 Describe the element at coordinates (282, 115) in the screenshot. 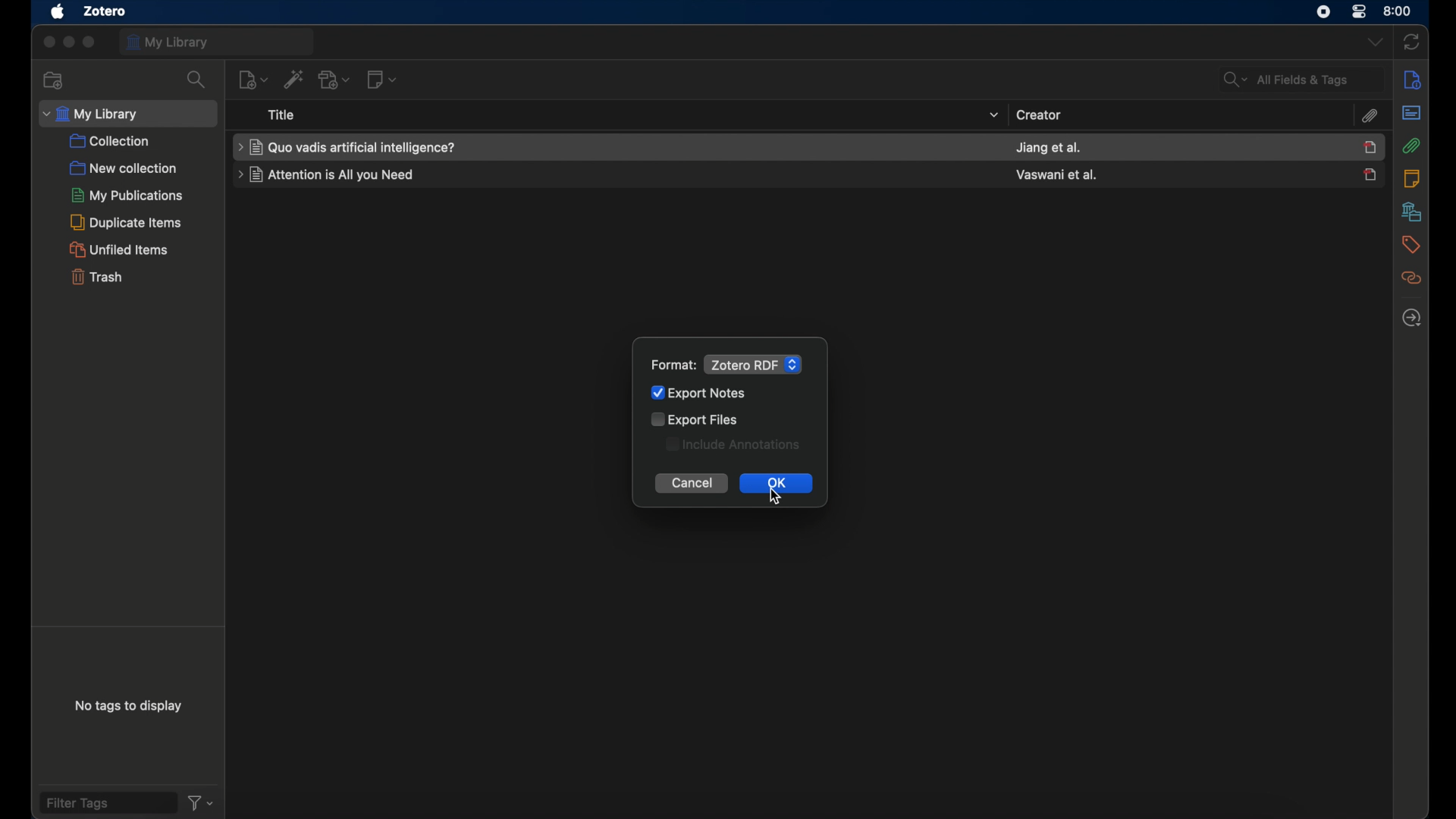

I see `title` at that location.